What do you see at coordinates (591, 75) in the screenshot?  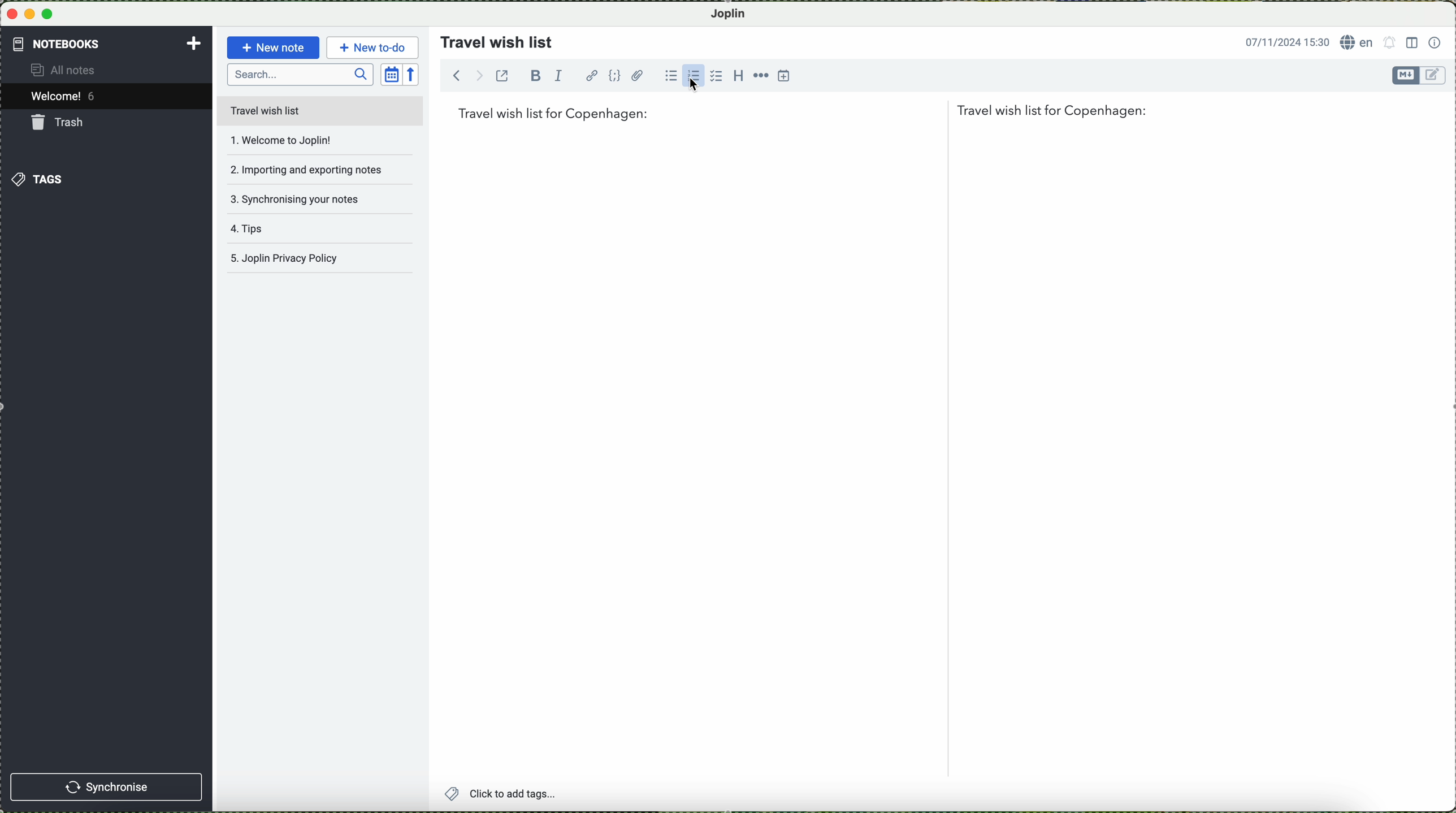 I see `hyperlink` at bounding box center [591, 75].